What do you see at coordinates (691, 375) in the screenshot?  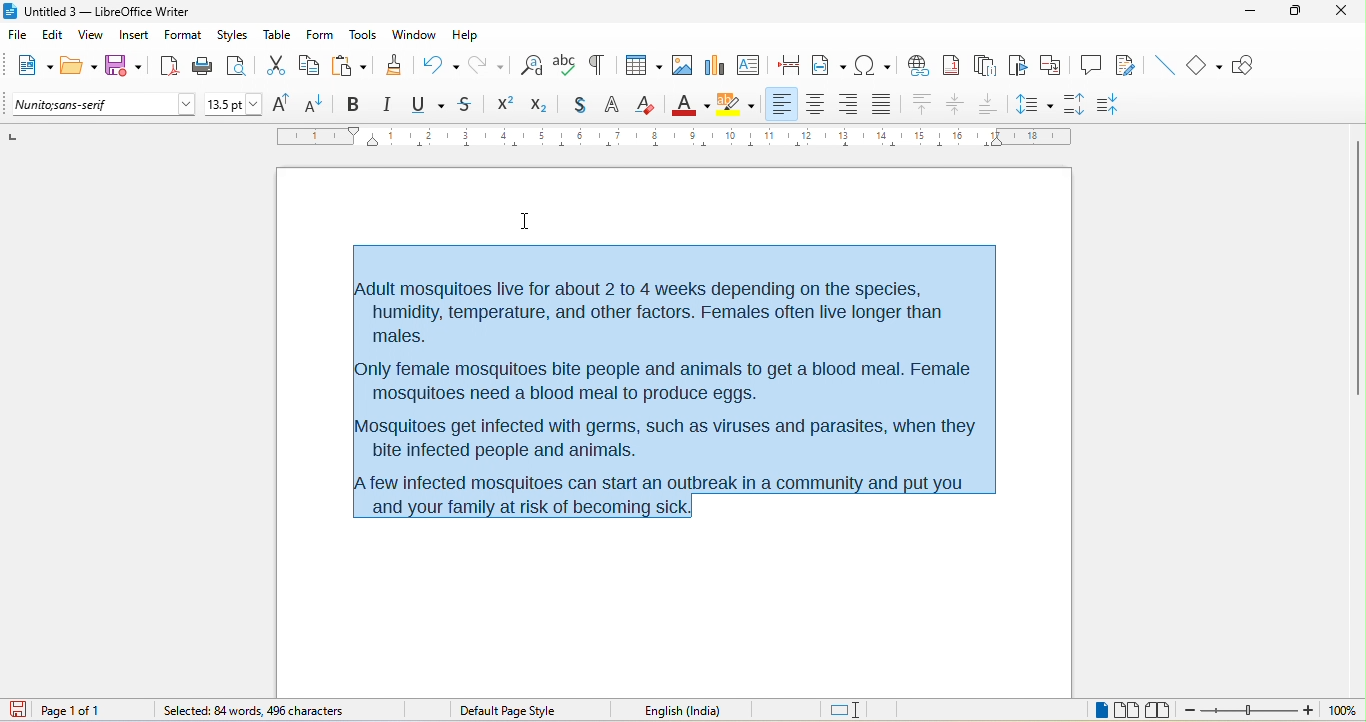 I see `Added a hanging indent to a paragraph` at bounding box center [691, 375].